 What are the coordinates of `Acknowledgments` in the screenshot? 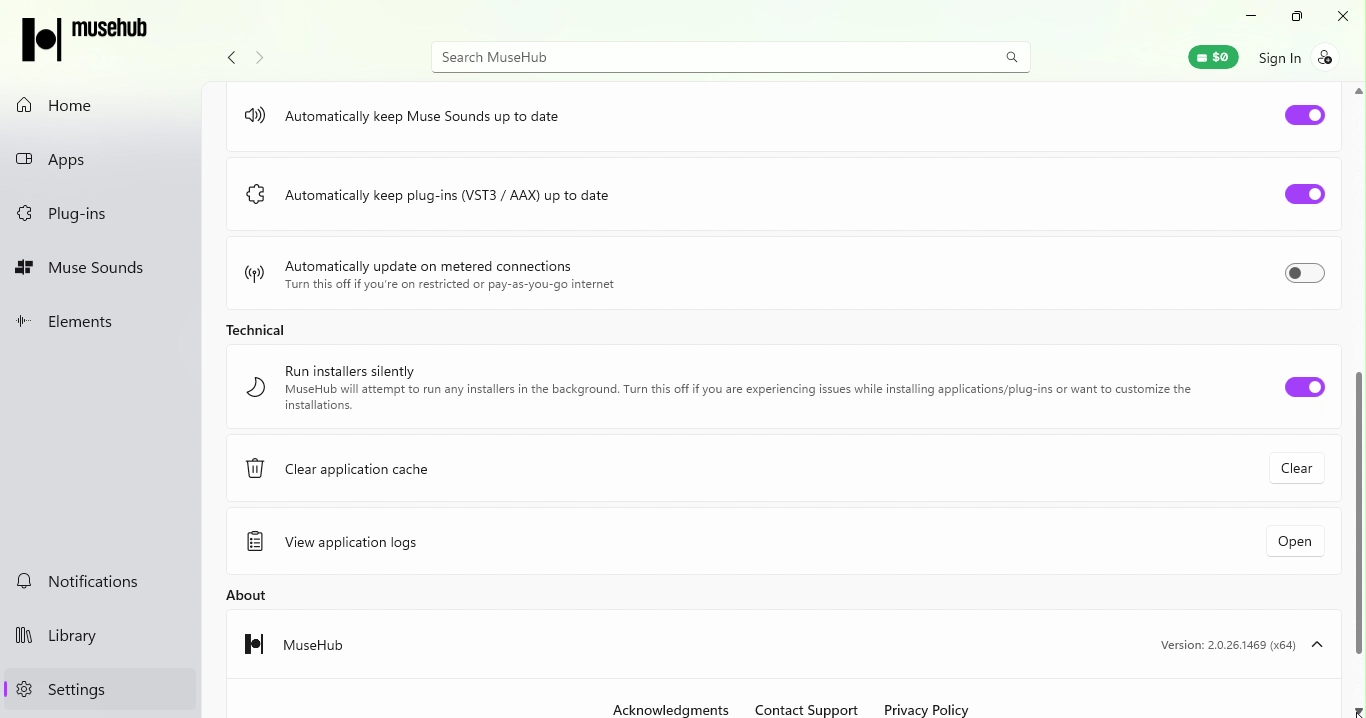 It's located at (671, 708).